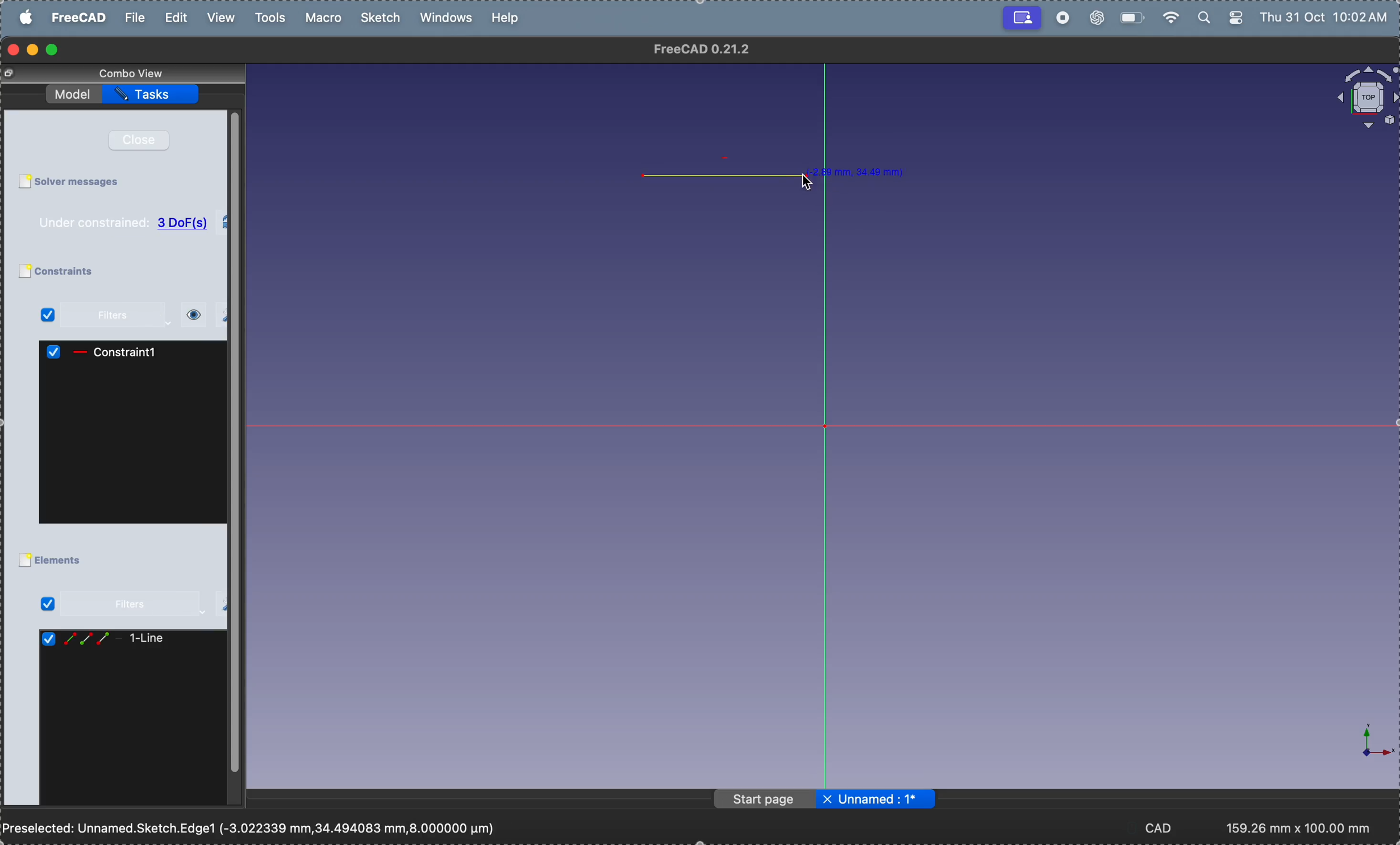 The width and height of the screenshot is (1400, 845). What do you see at coordinates (1062, 18) in the screenshot?
I see `record` at bounding box center [1062, 18].